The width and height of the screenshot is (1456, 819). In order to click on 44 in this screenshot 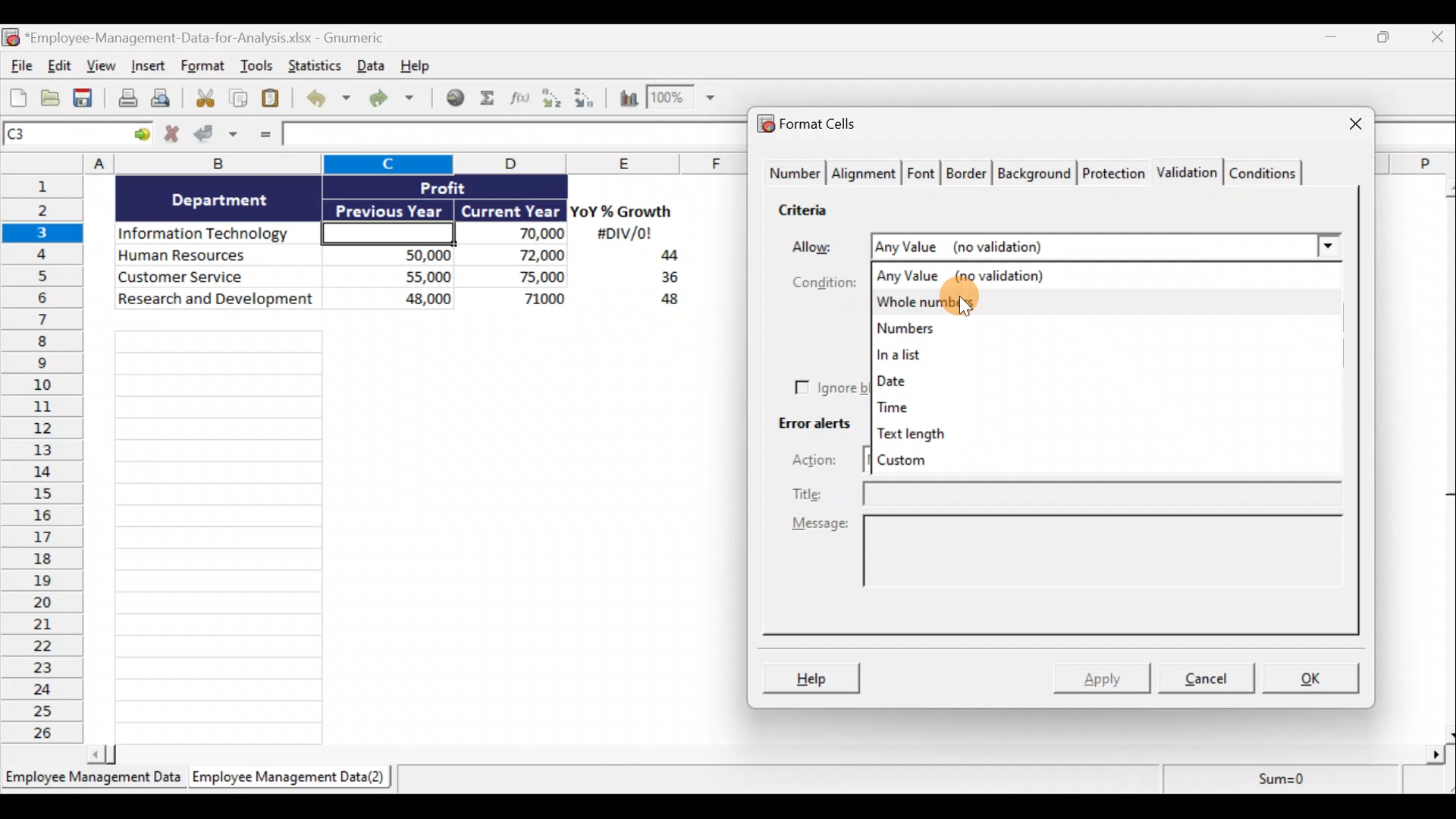, I will do `click(661, 257)`.